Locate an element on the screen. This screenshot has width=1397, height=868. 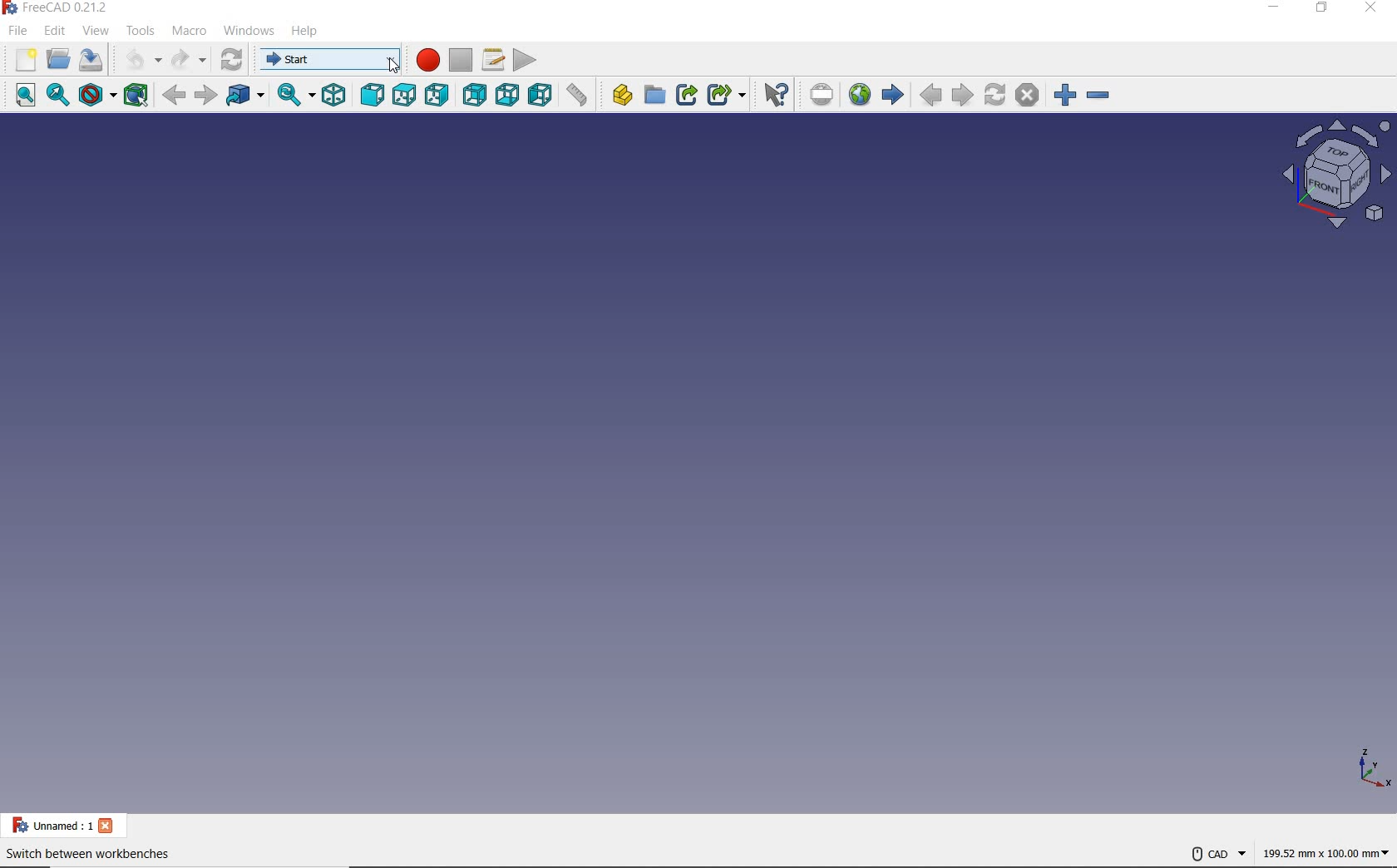
WHAT'S THIS is located at coordinates (773, 96).